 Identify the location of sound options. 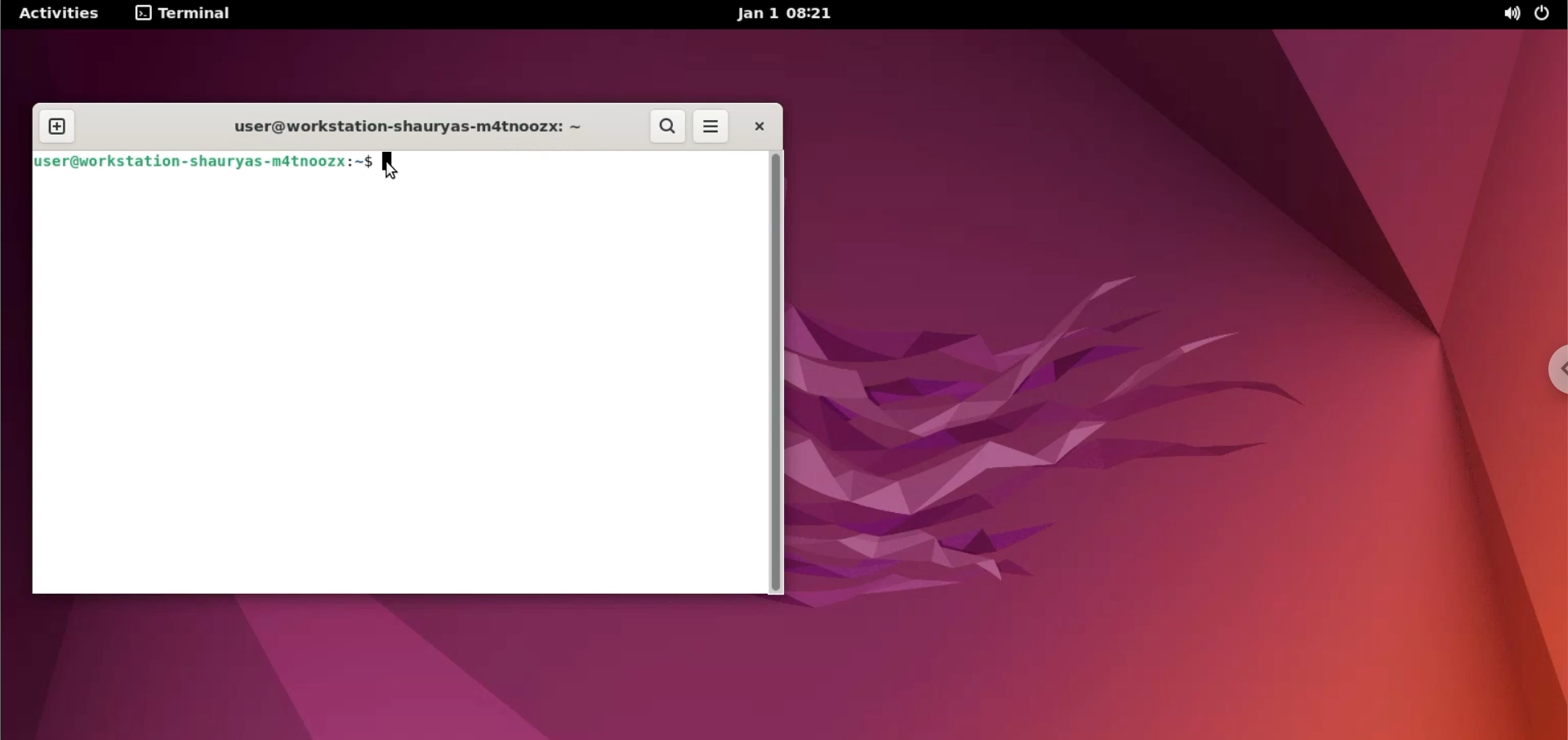
(1507, 16).